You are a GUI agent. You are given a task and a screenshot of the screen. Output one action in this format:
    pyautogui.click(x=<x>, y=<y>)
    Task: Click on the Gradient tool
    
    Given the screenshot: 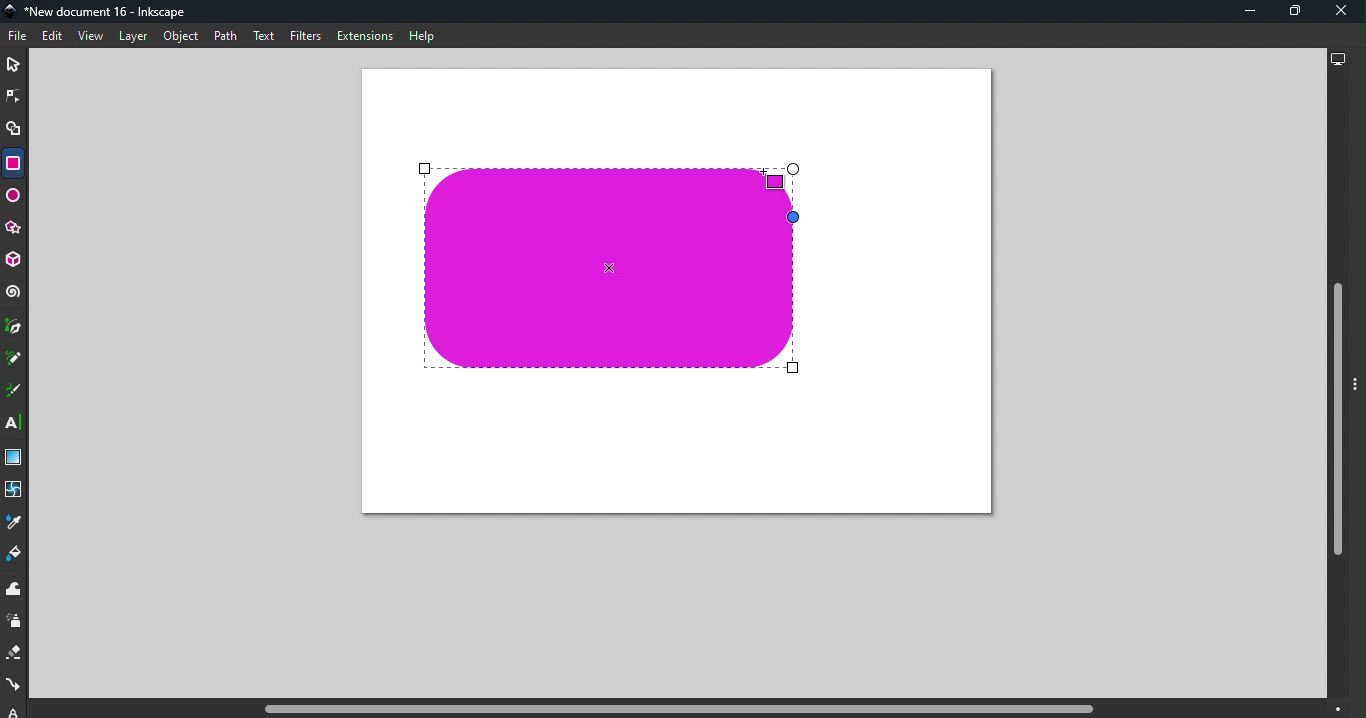 What is the action you would take?
    pyautogui.click(x=16, y=458)
    